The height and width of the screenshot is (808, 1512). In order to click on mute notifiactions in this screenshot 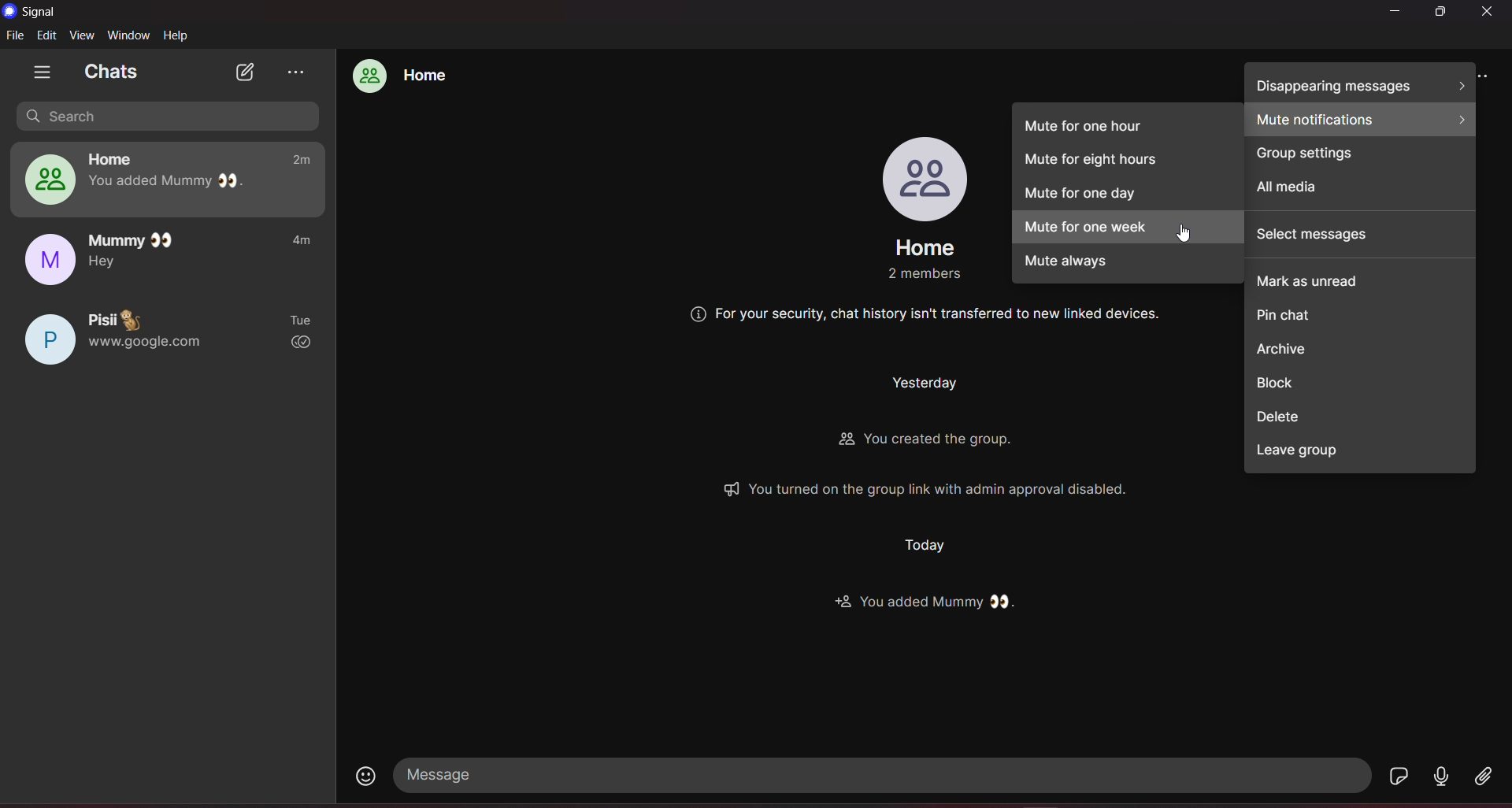, I will do `click(1362, 122)`.